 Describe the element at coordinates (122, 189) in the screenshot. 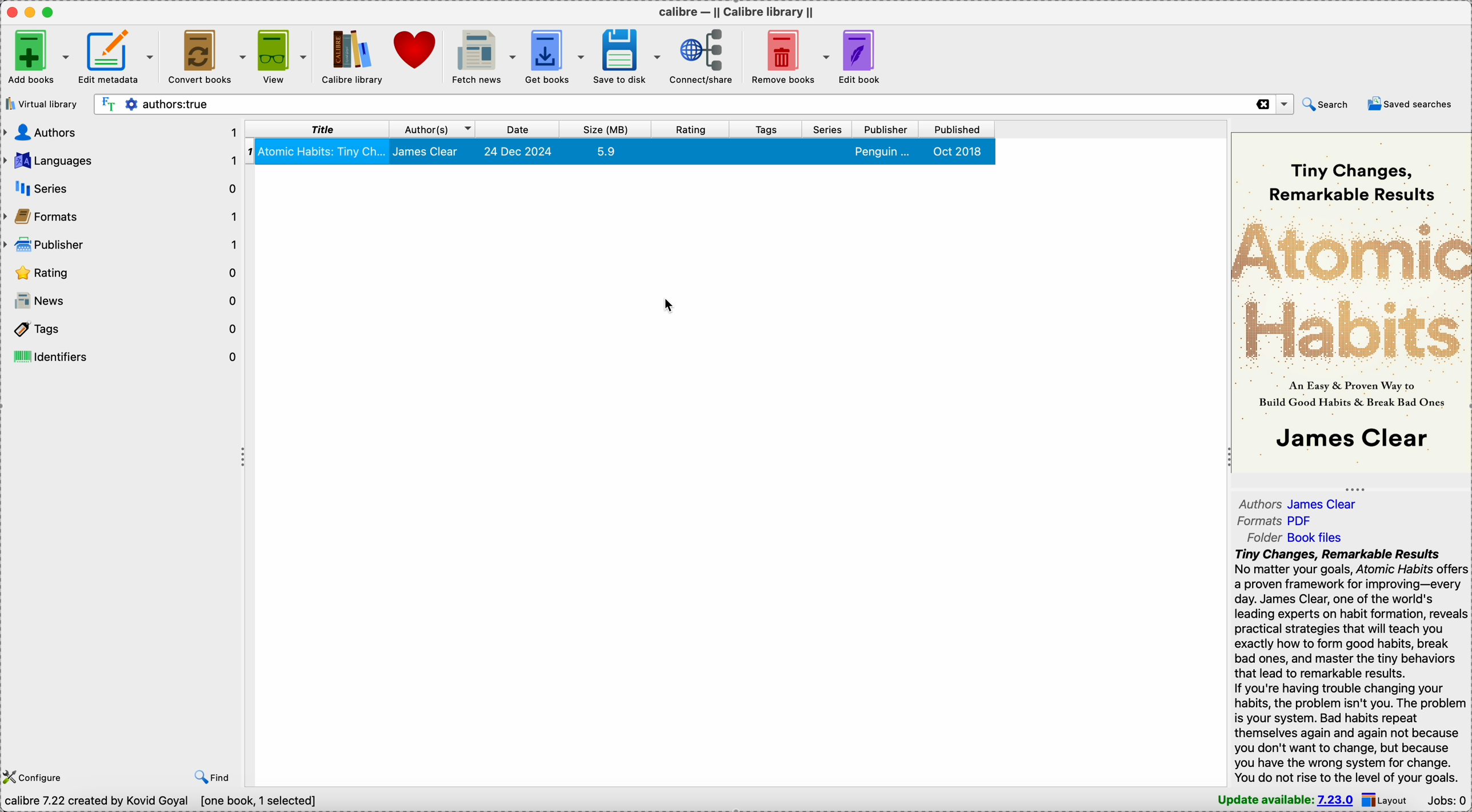

I see `series` at that location.